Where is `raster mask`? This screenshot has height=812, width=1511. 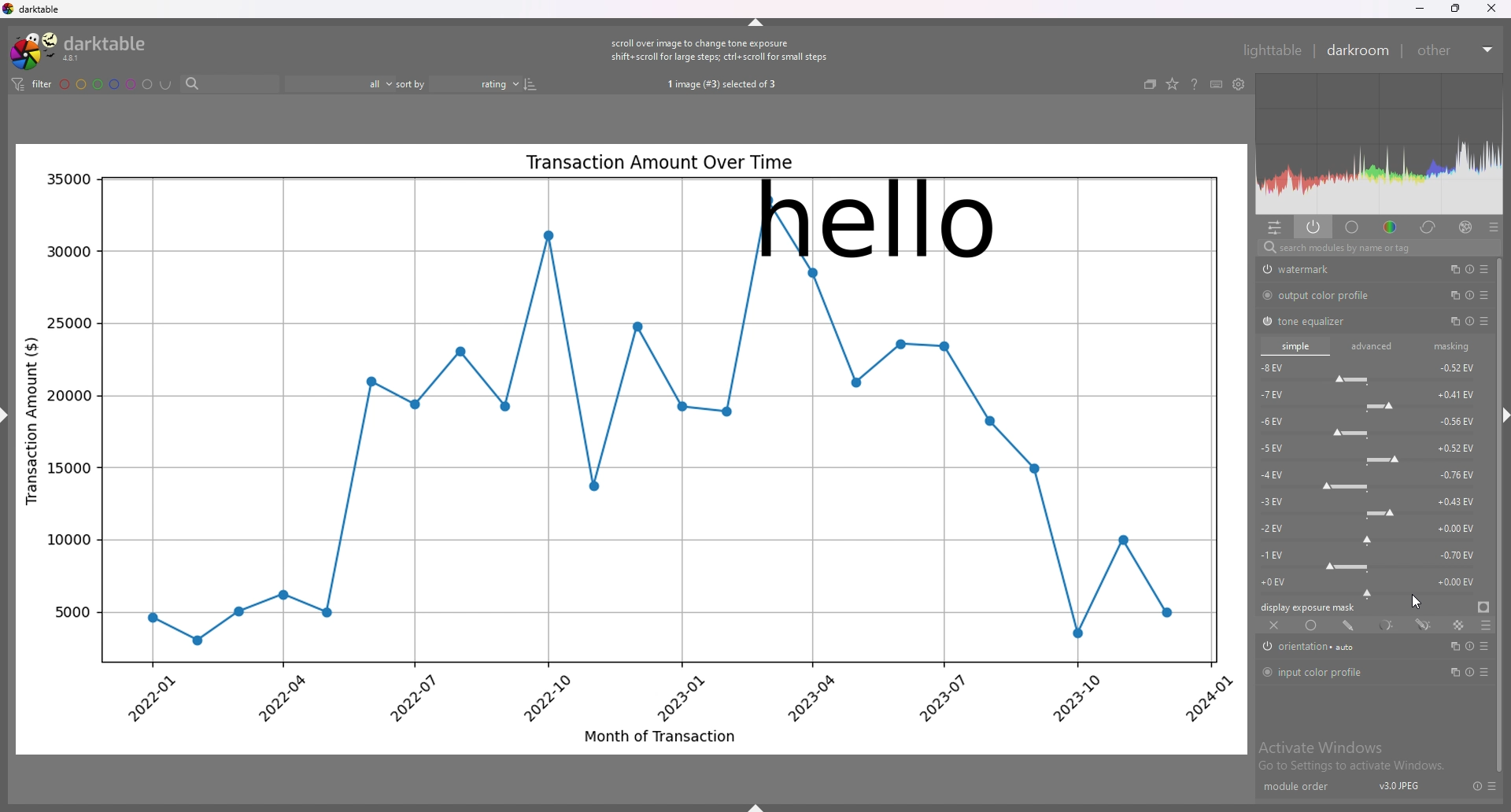 raster mask is located at coordinates (1456, 625).